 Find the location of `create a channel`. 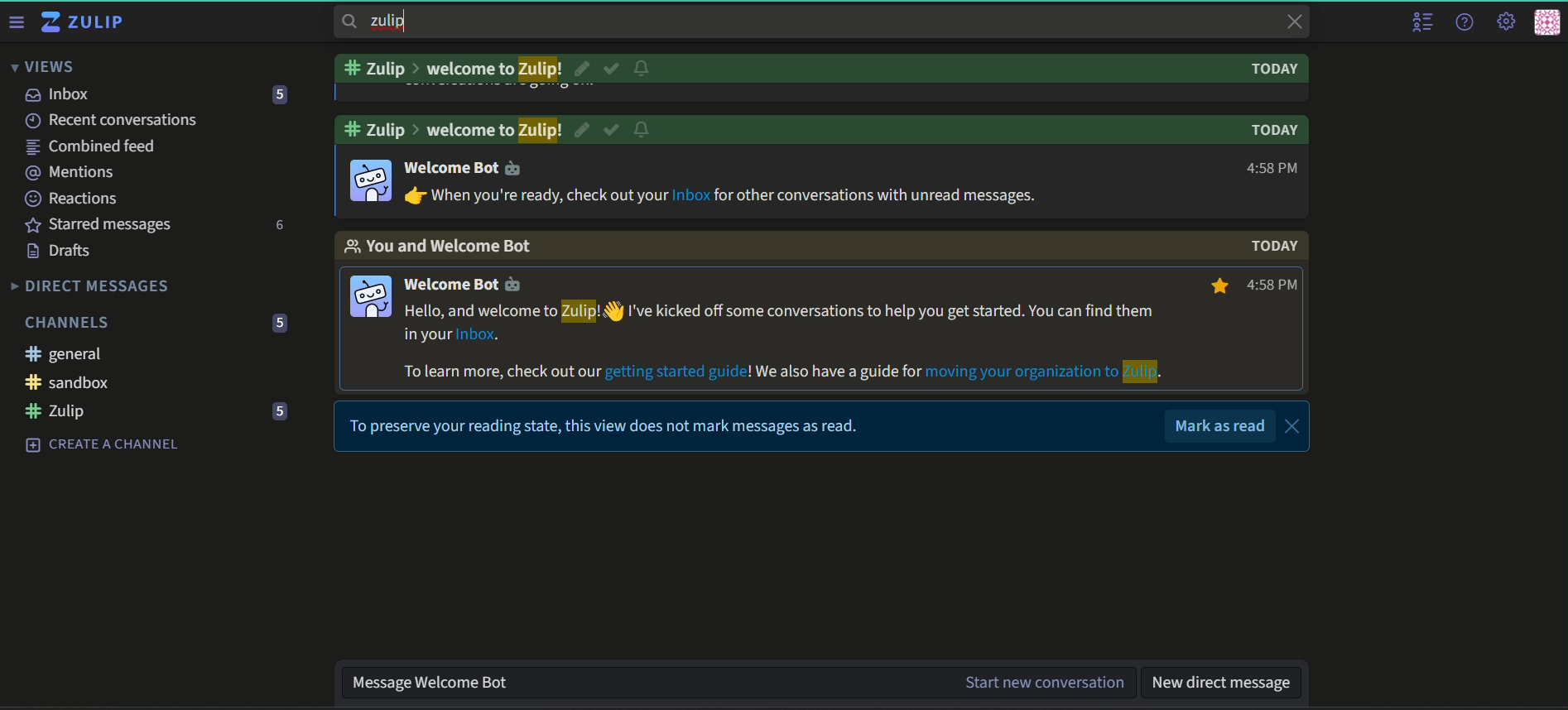

create a channel is located at coordinates (99, 441).